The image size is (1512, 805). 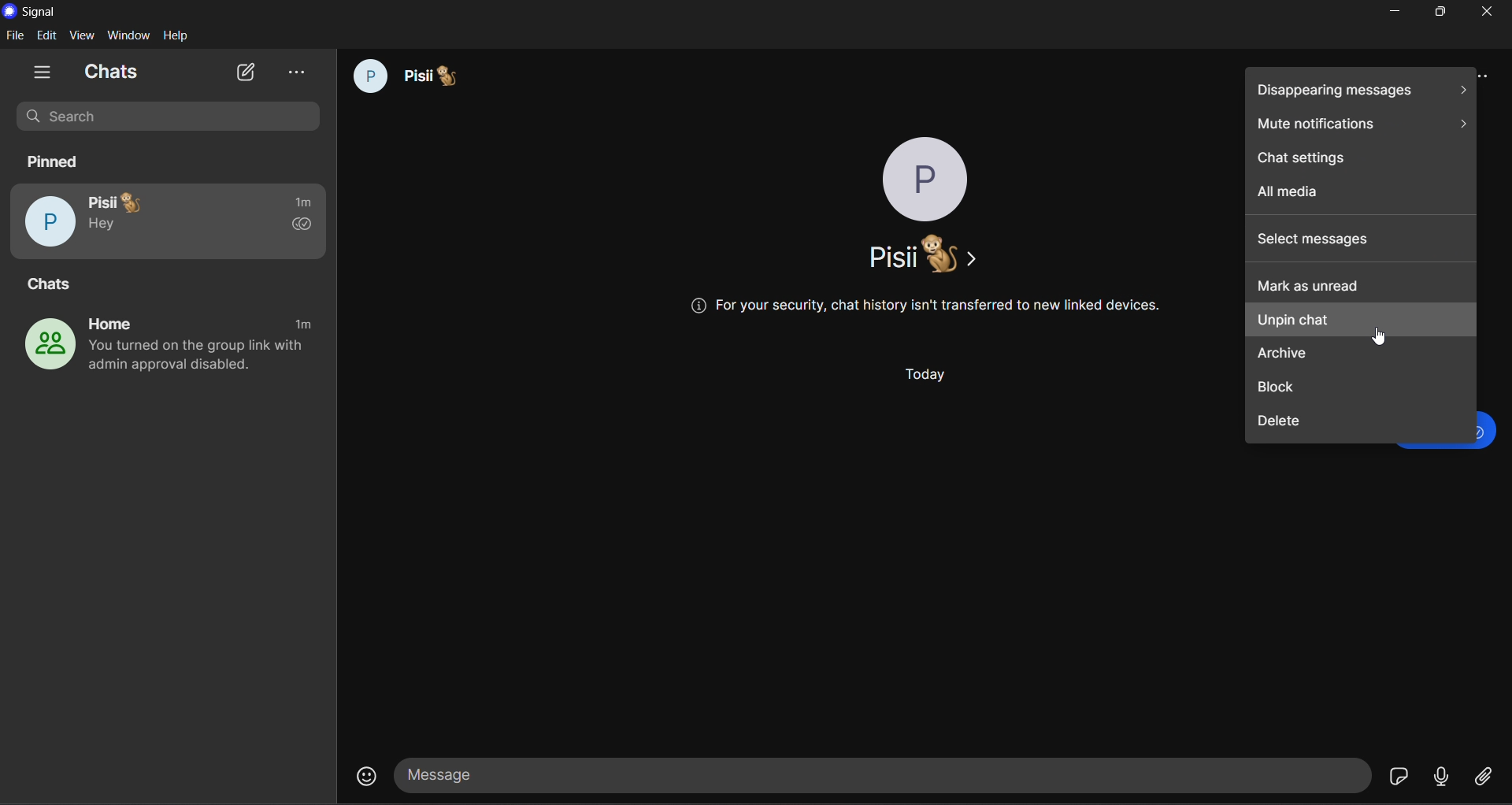 What do you see at coordinates (17, 35) in the screenshot?
I see `file` at bounding box center [17, 35].